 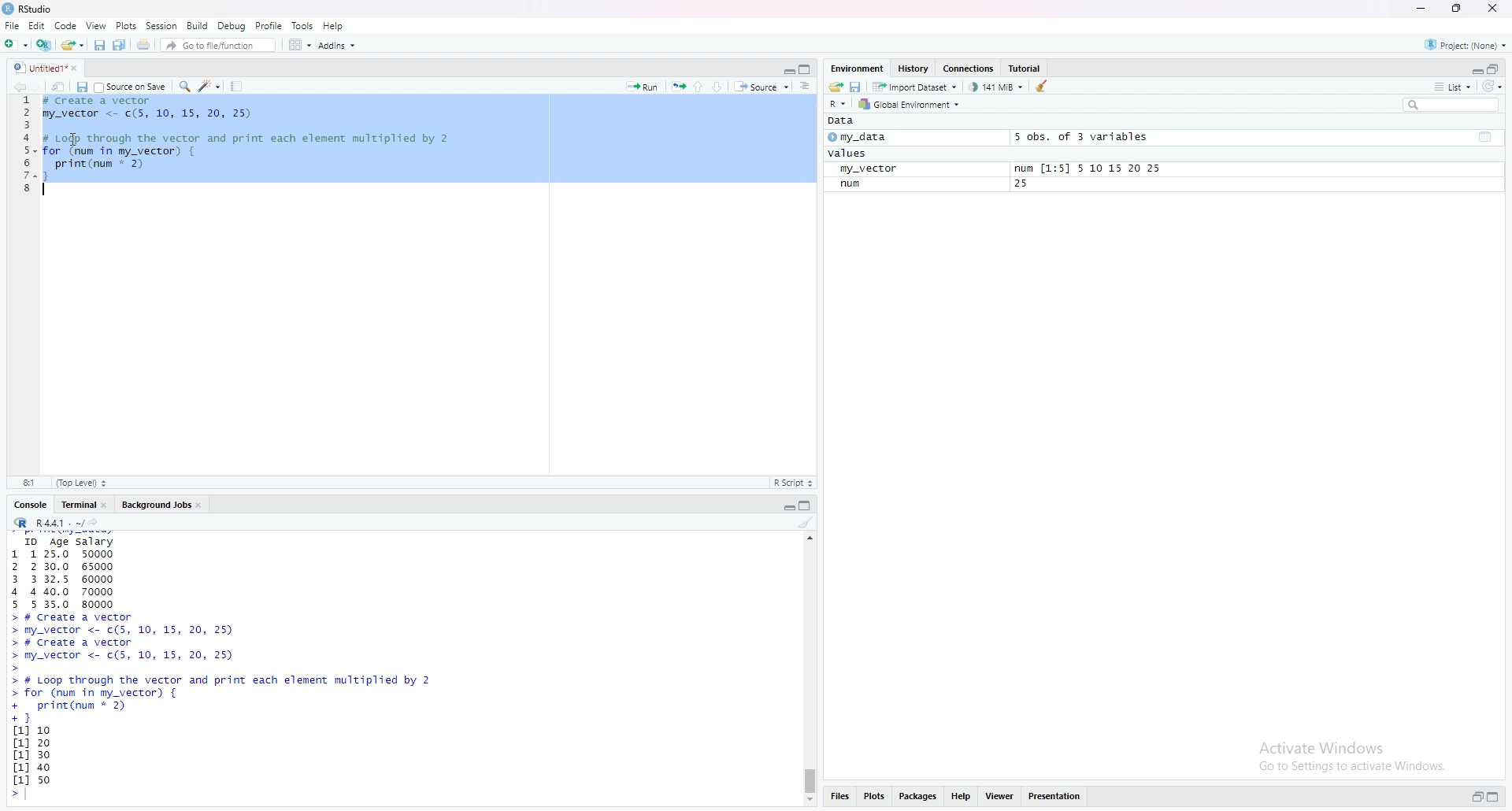 What do you see at coordinates (162, 504) in the screenshot?
I see `Background jobs` at bounding box center [162, 504].